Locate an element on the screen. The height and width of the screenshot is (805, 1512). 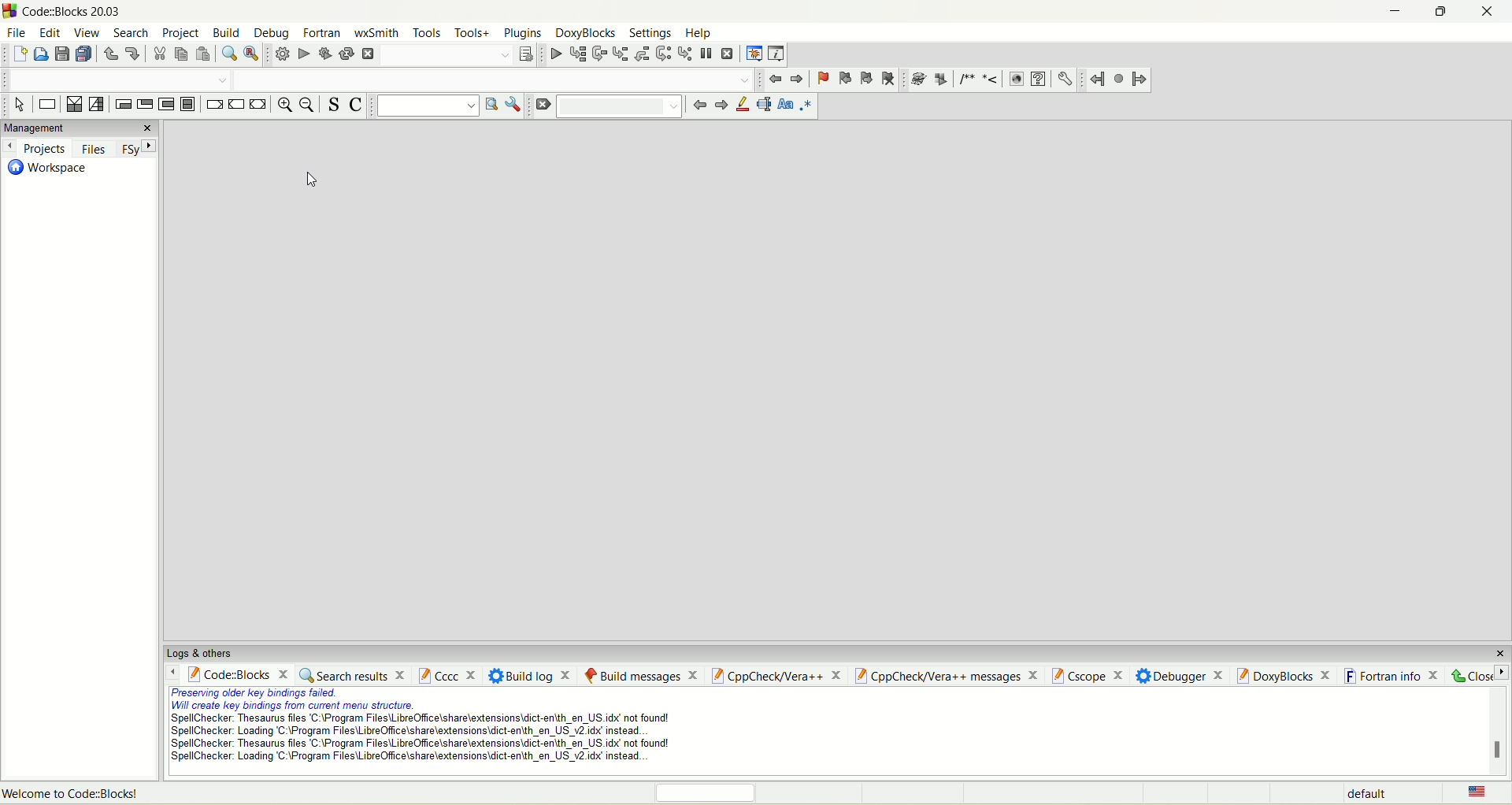
view is located at coordinates (85, 32).